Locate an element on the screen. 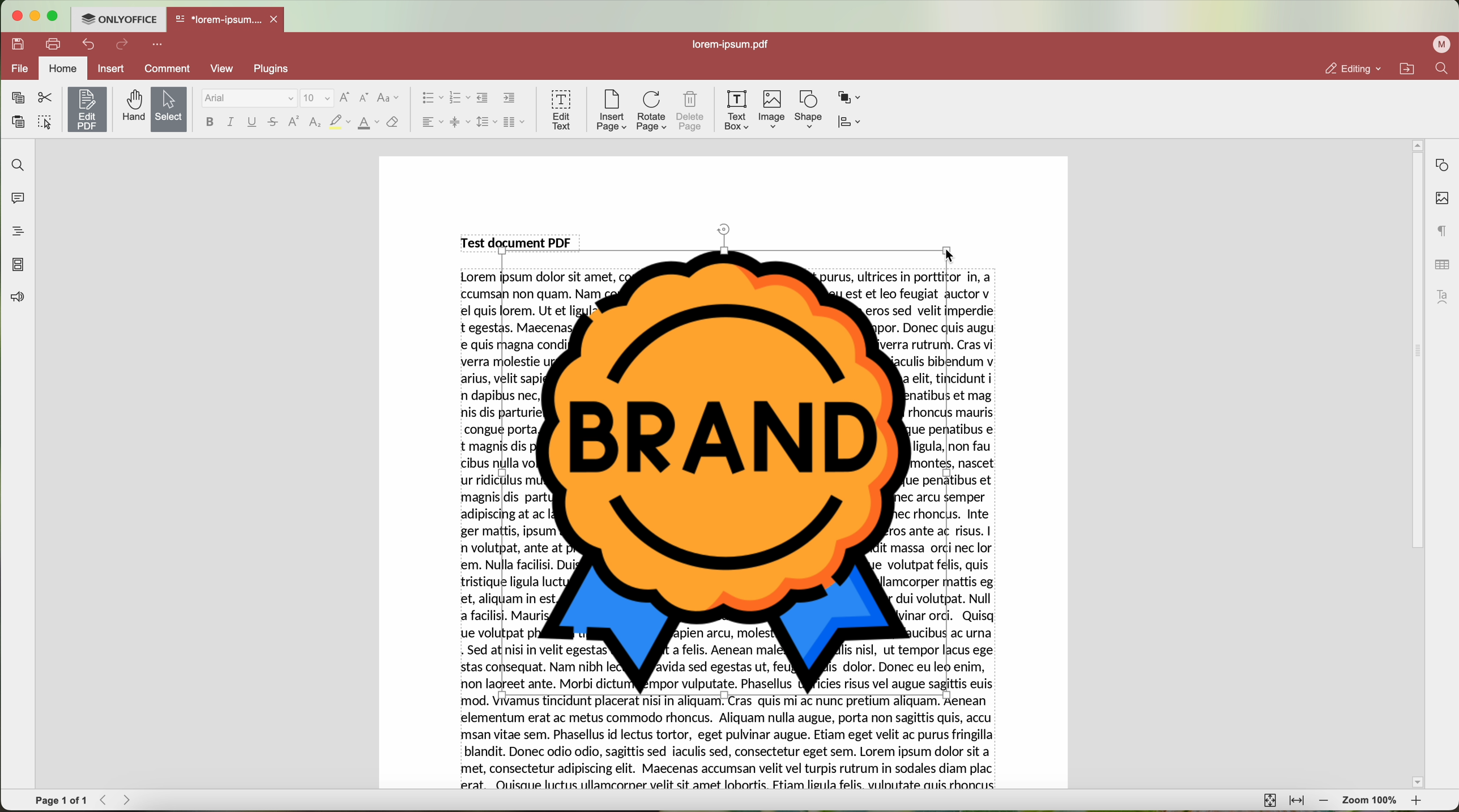  minimize is located at coordinates (34, 16).